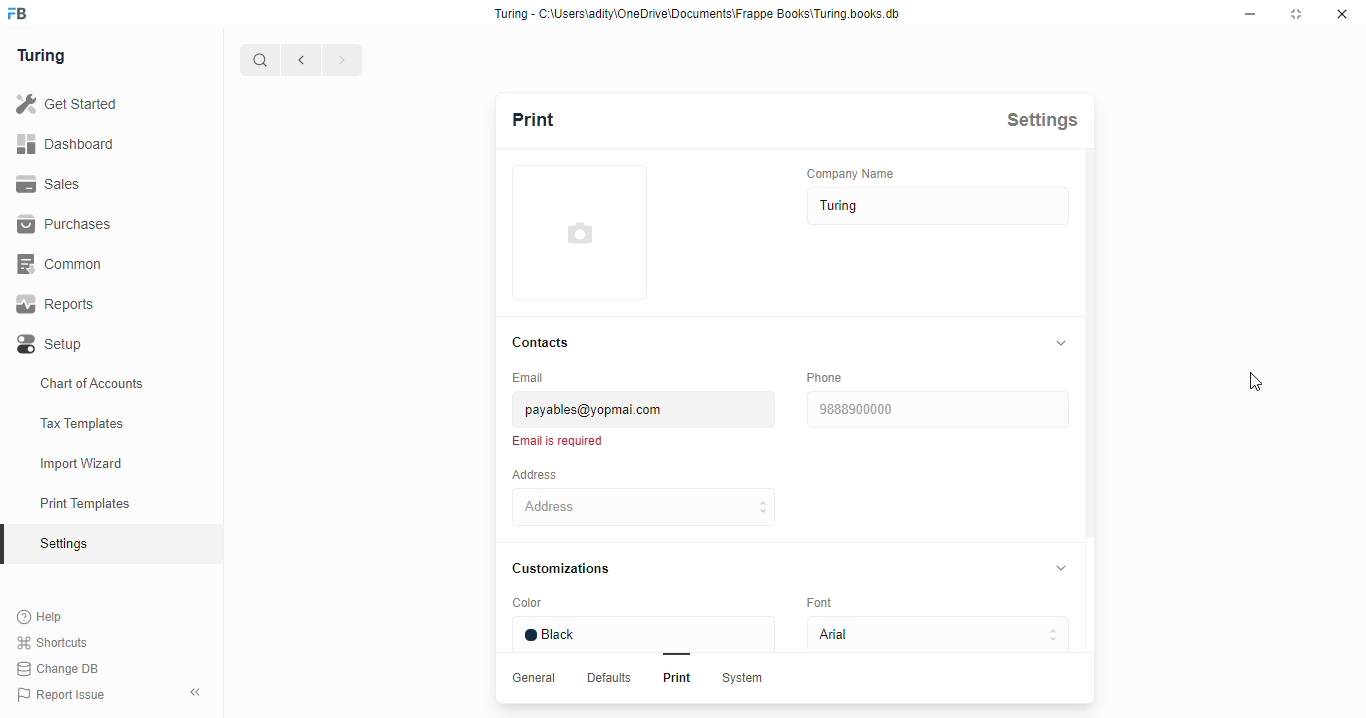 This screenshot has width=1366, height=718. I want to click on Defaults, so click(611, 679).